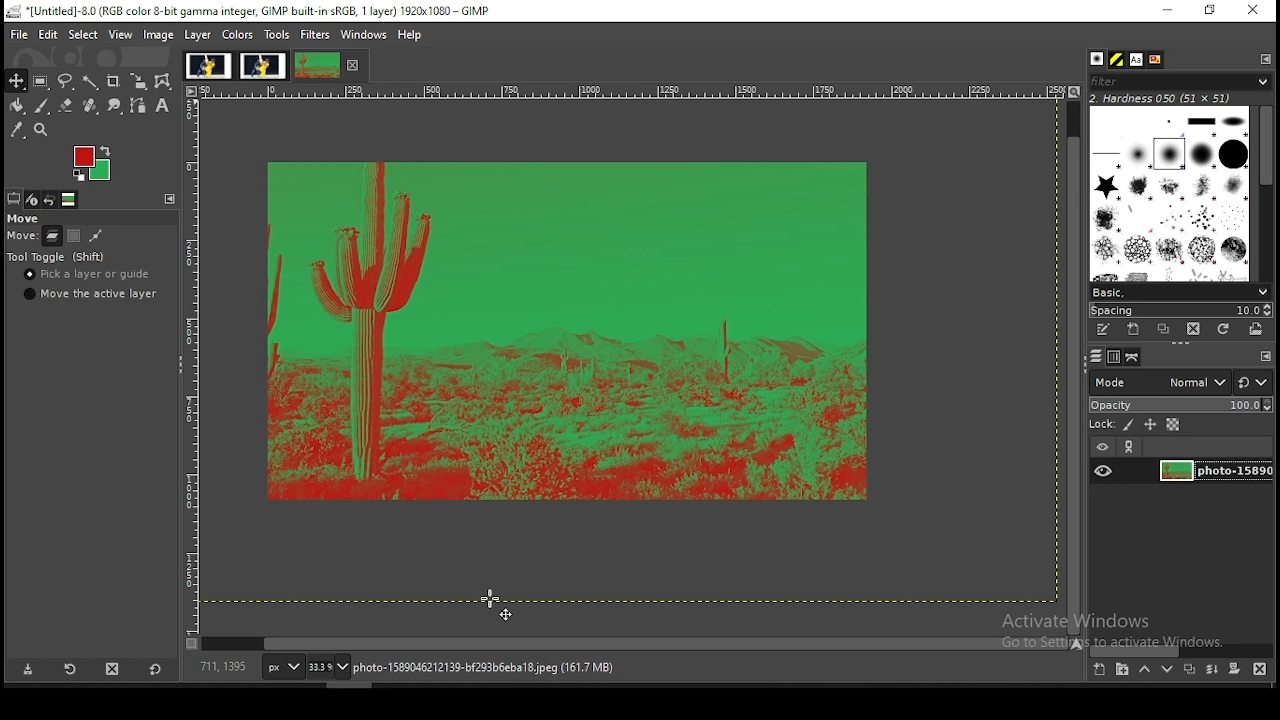 Image resolution: width=1280 pixels, height=720 pixels. What do you see at coordinates (1264, 58) in the screenshot?
I see `configure this pane` at bounding box center [1264, 58].